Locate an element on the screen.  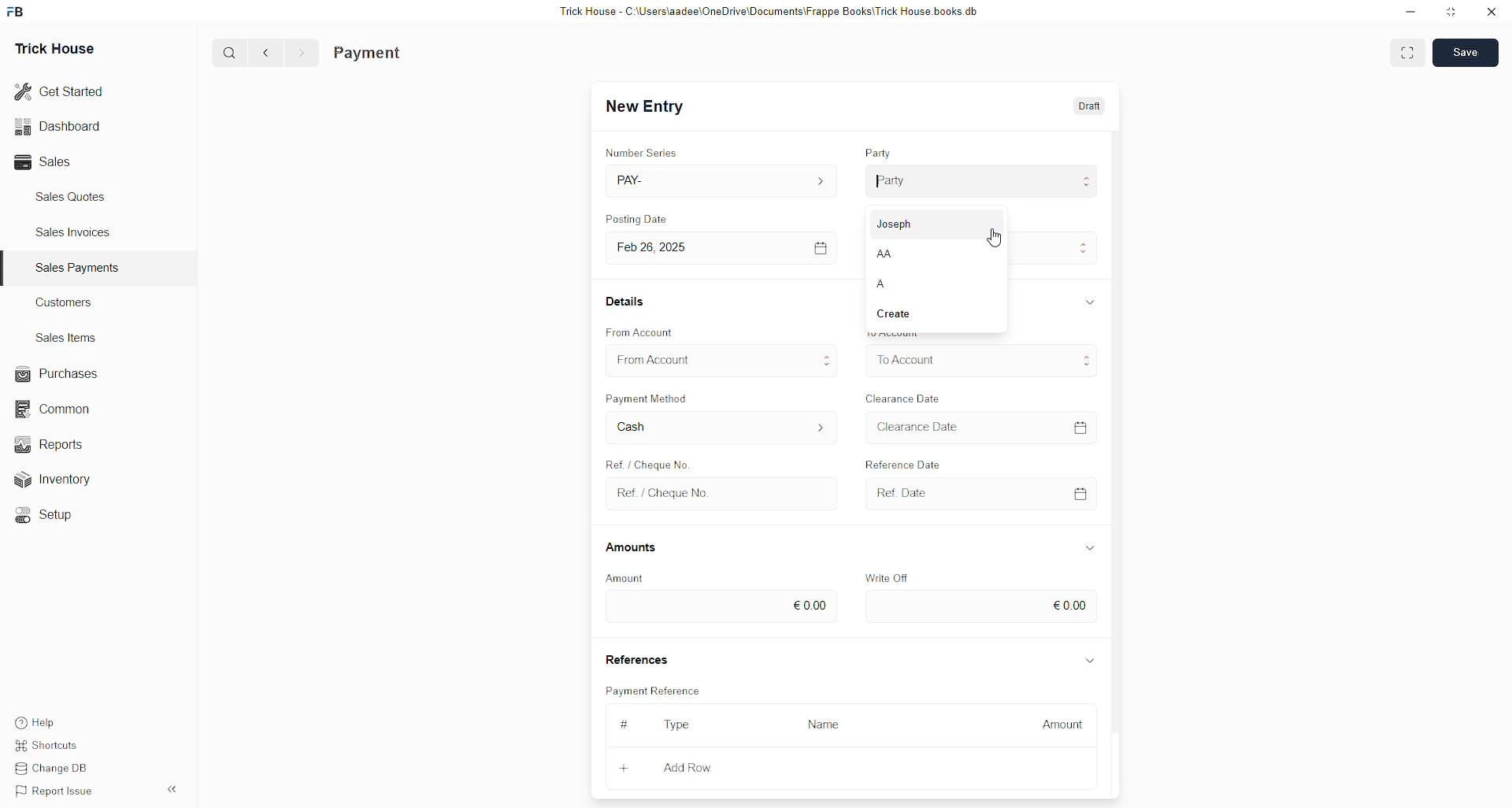
Amount is located at coordinates (626, 579).